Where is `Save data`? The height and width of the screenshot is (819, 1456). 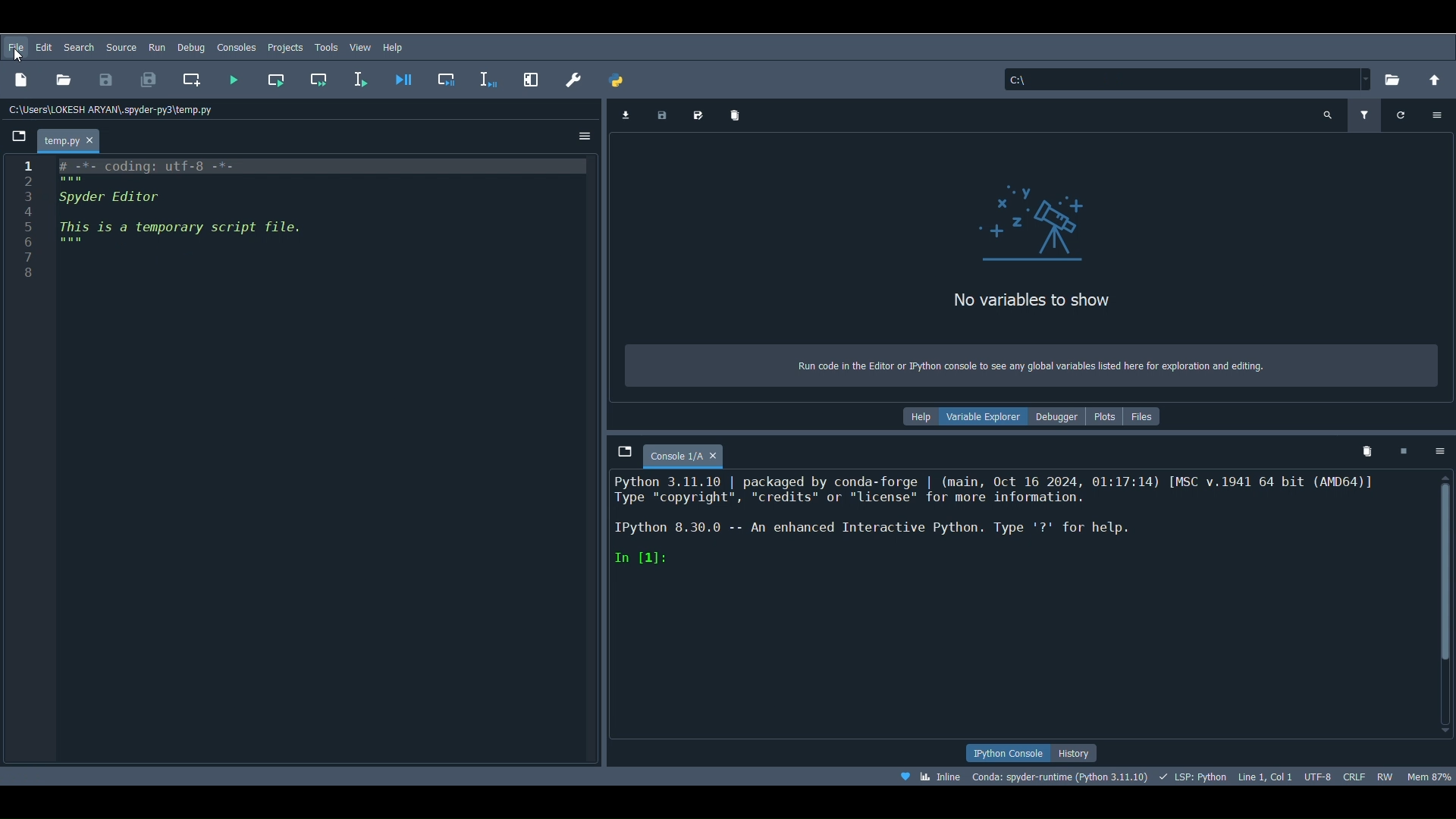 Save data is located at coordinates (661, 113).